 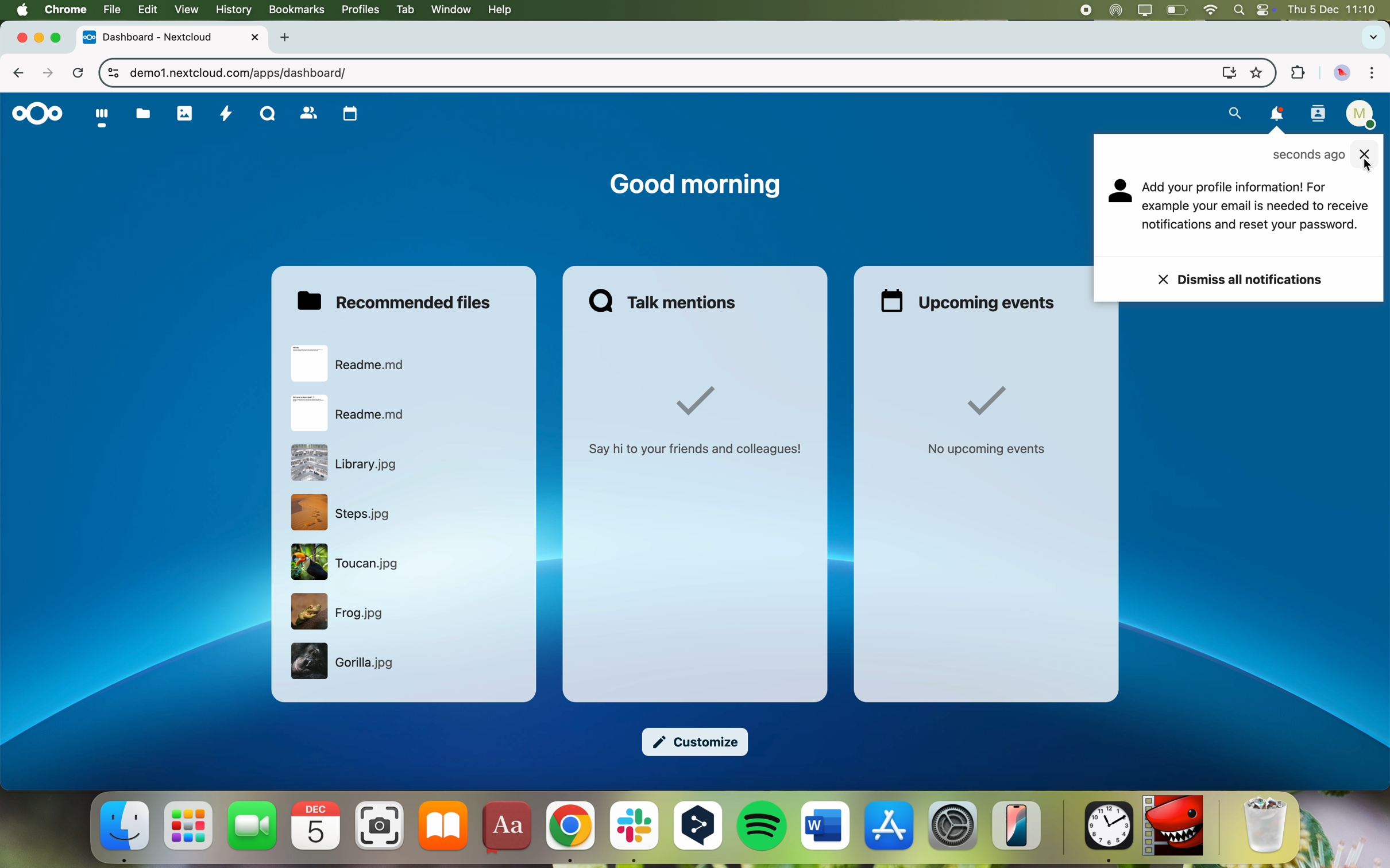 I want to click on search, so click(x=1232, y=114).